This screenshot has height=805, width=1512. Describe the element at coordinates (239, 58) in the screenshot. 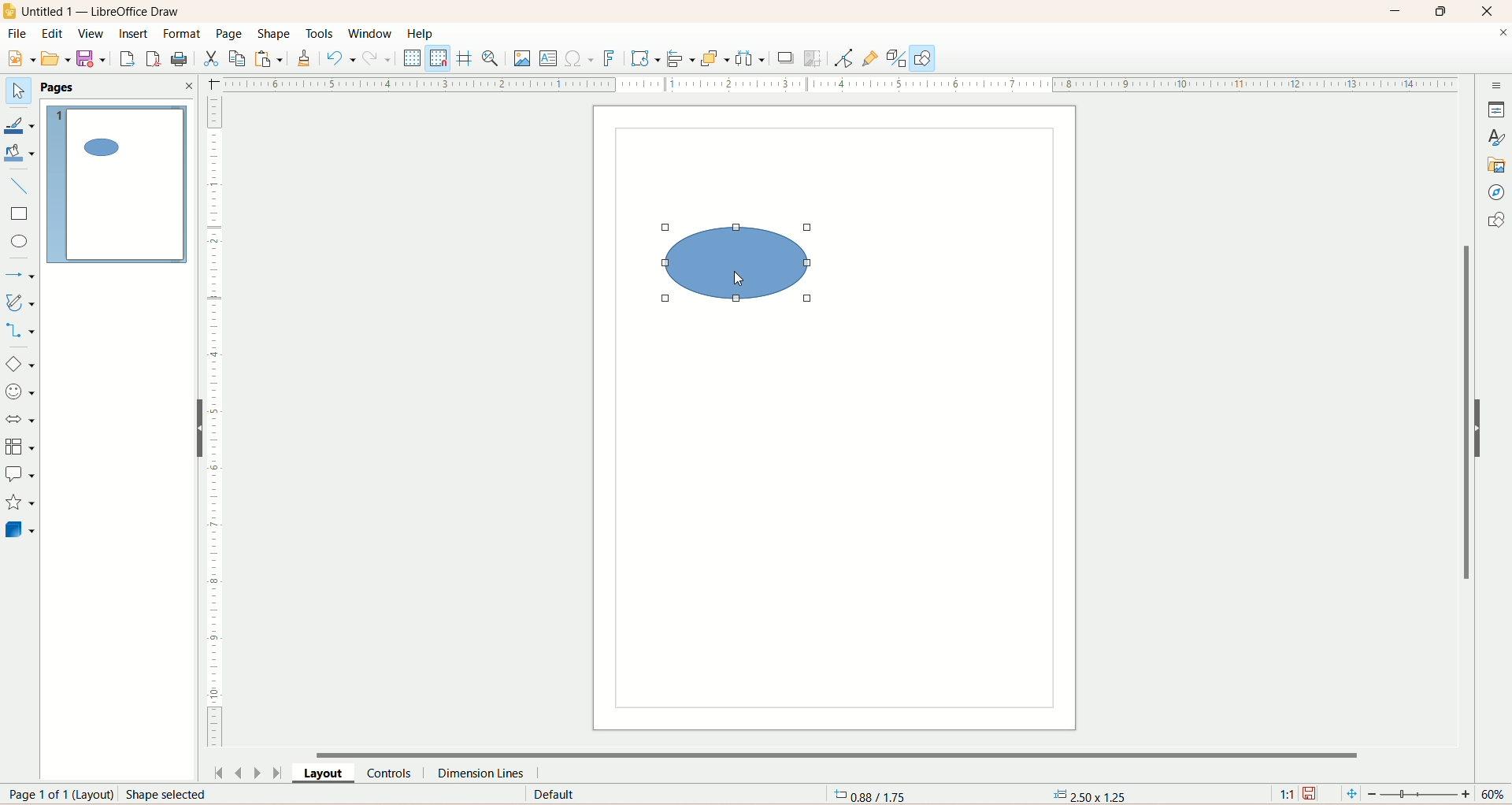

I see `copy` at that location.